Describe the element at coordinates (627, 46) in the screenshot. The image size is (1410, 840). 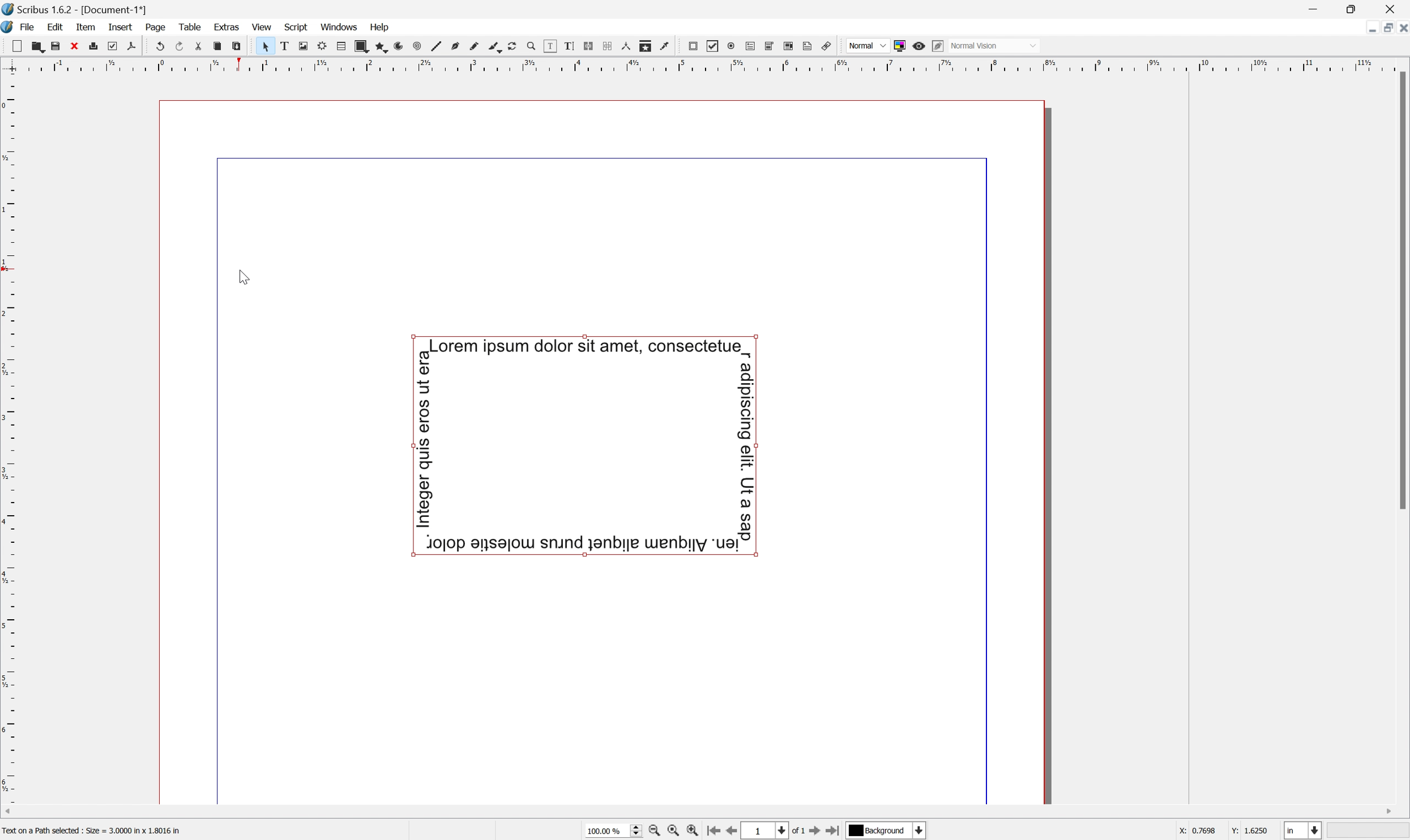
I see `Measurements` at that location.